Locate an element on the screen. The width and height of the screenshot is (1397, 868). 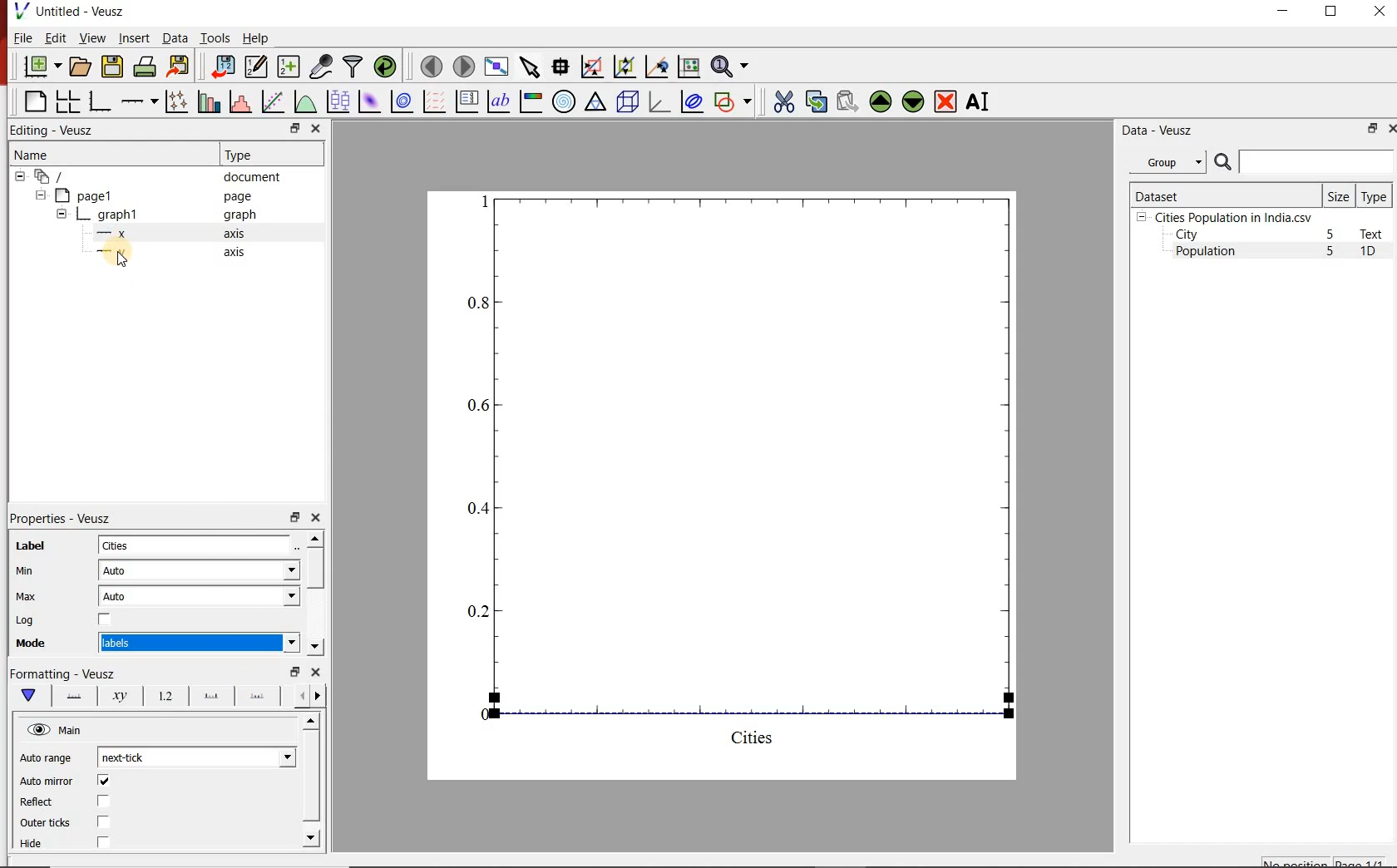
plot a vector field is located at coordinates (432, 101).